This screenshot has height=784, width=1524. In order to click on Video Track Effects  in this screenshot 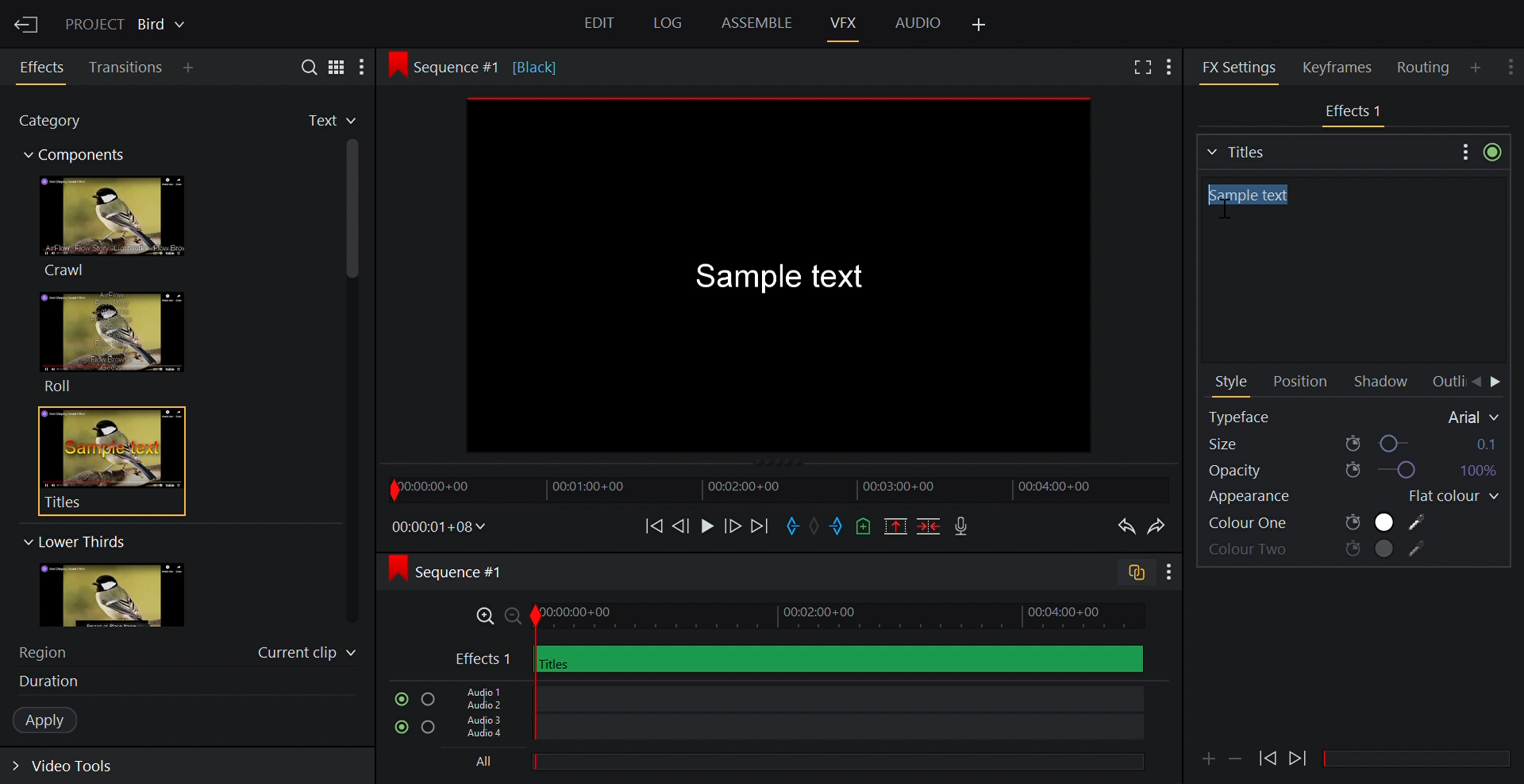, I will do `click(1355, 113)`.